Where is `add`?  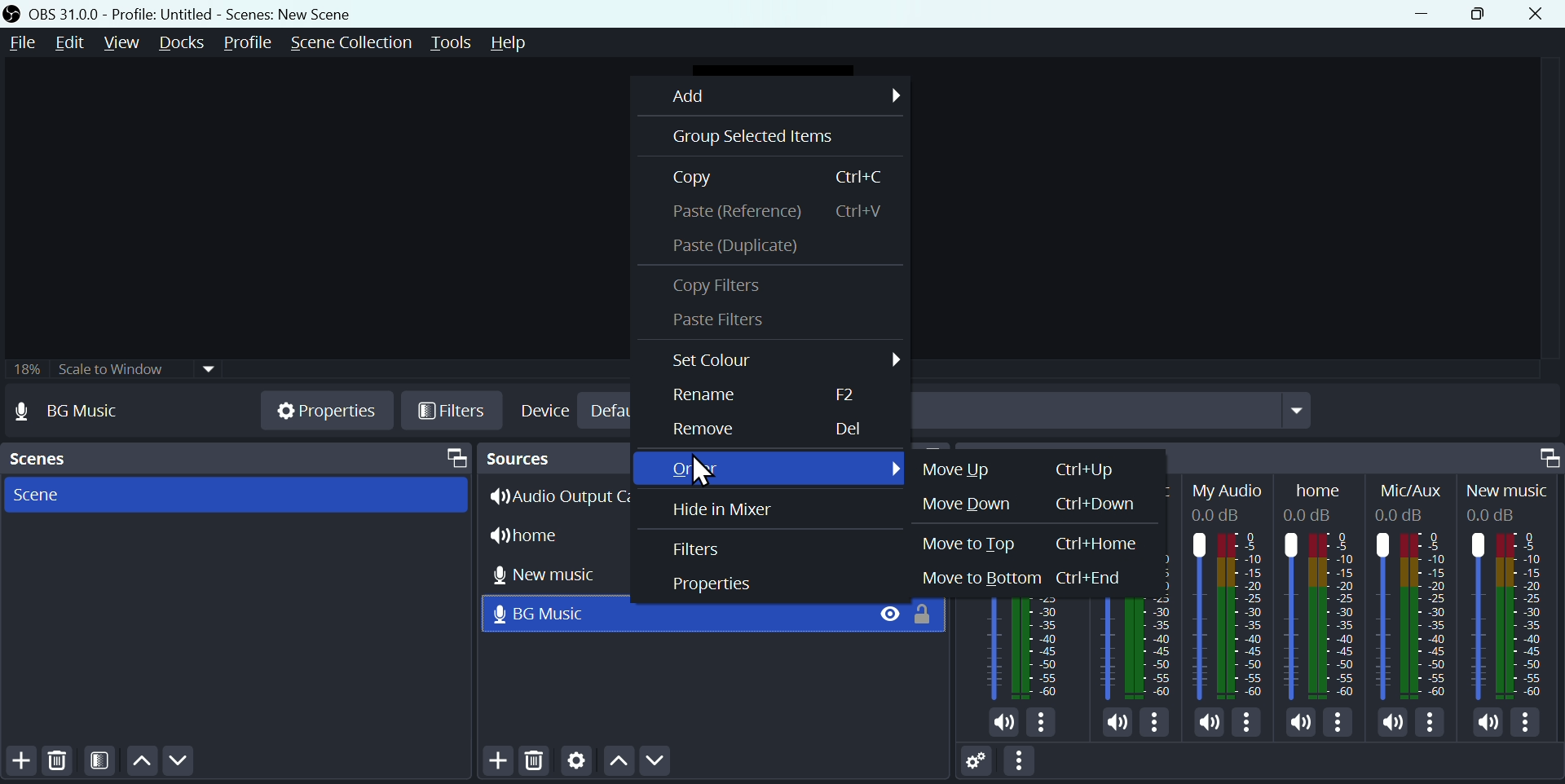 add is located at coordinates (782, 95).